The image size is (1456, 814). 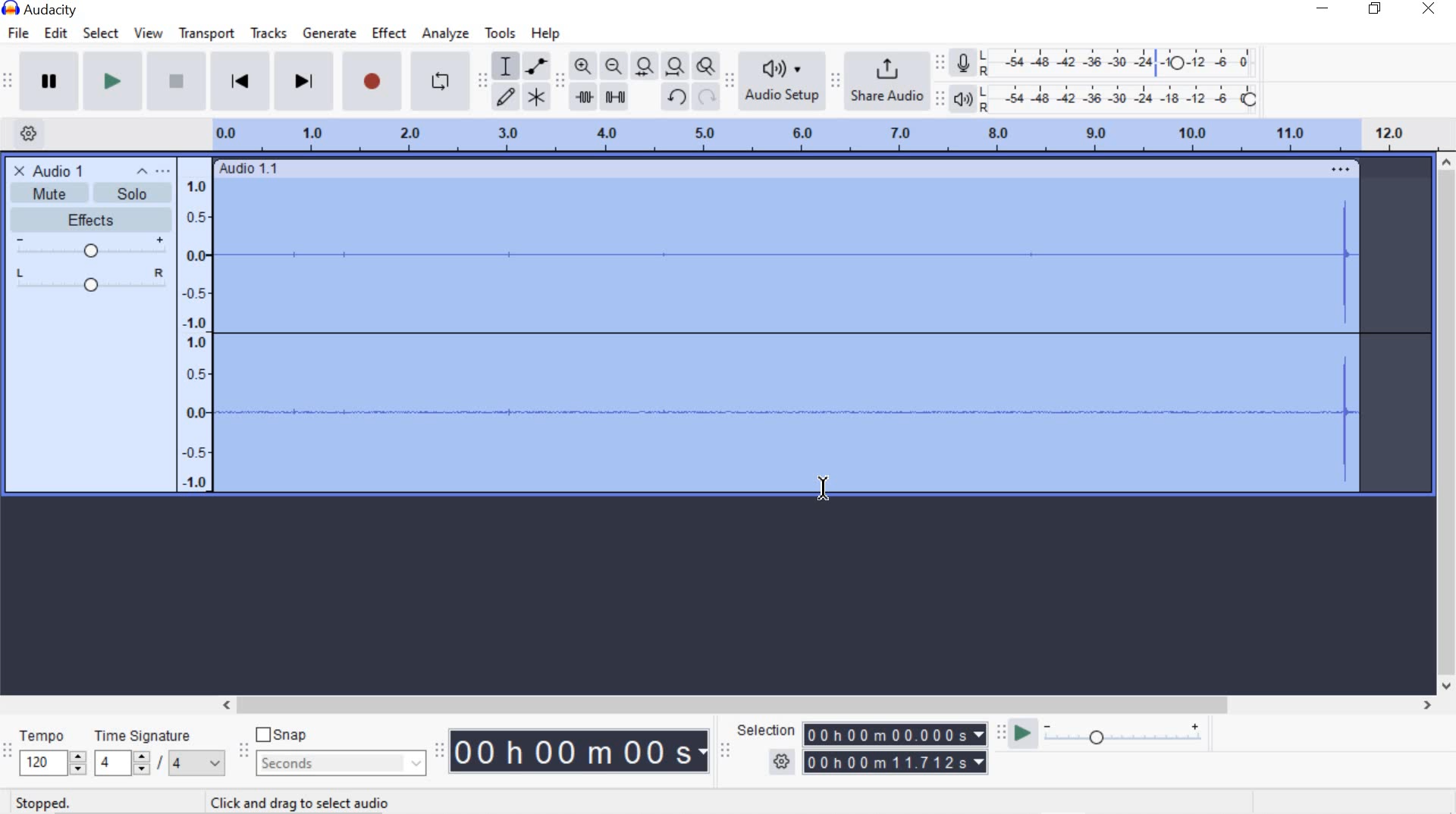 I want to click on TEMPO, so click(x=50, y=752).